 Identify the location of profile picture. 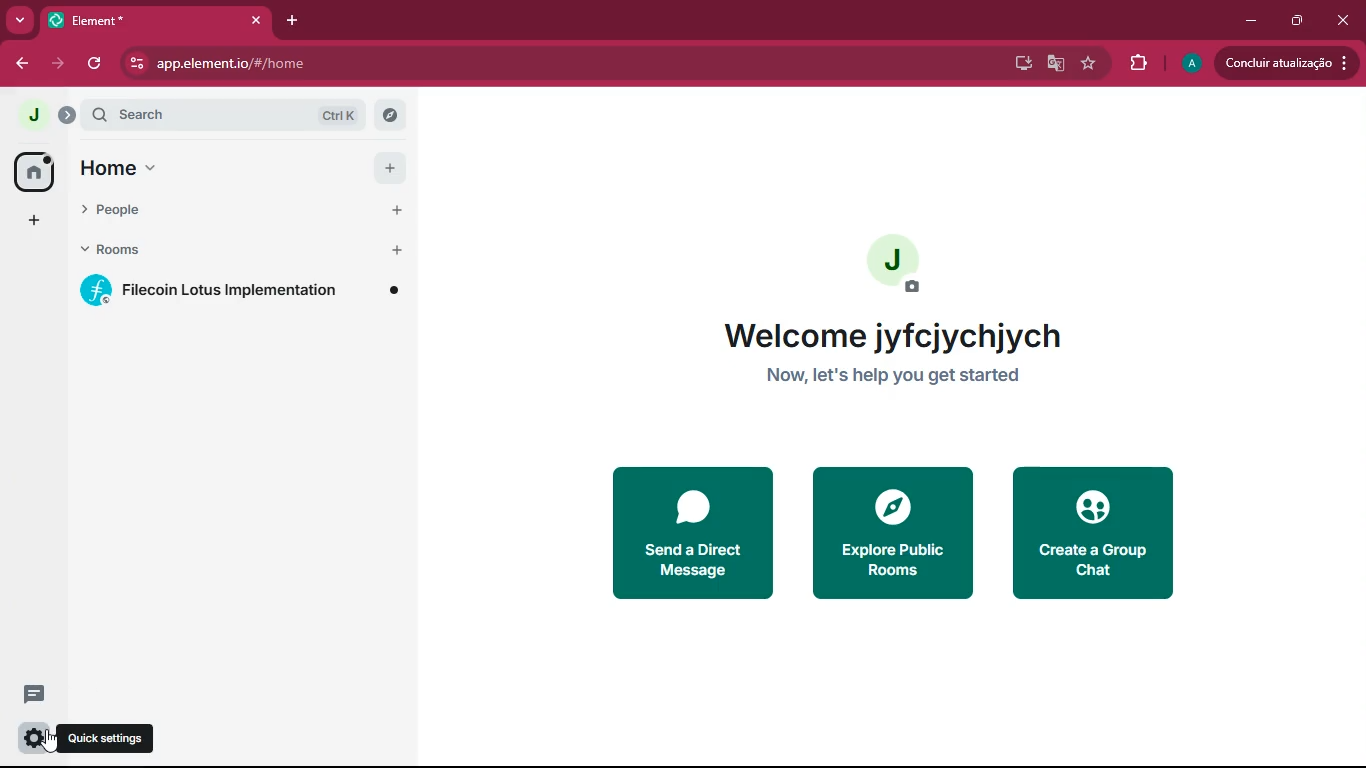
(32, 116).